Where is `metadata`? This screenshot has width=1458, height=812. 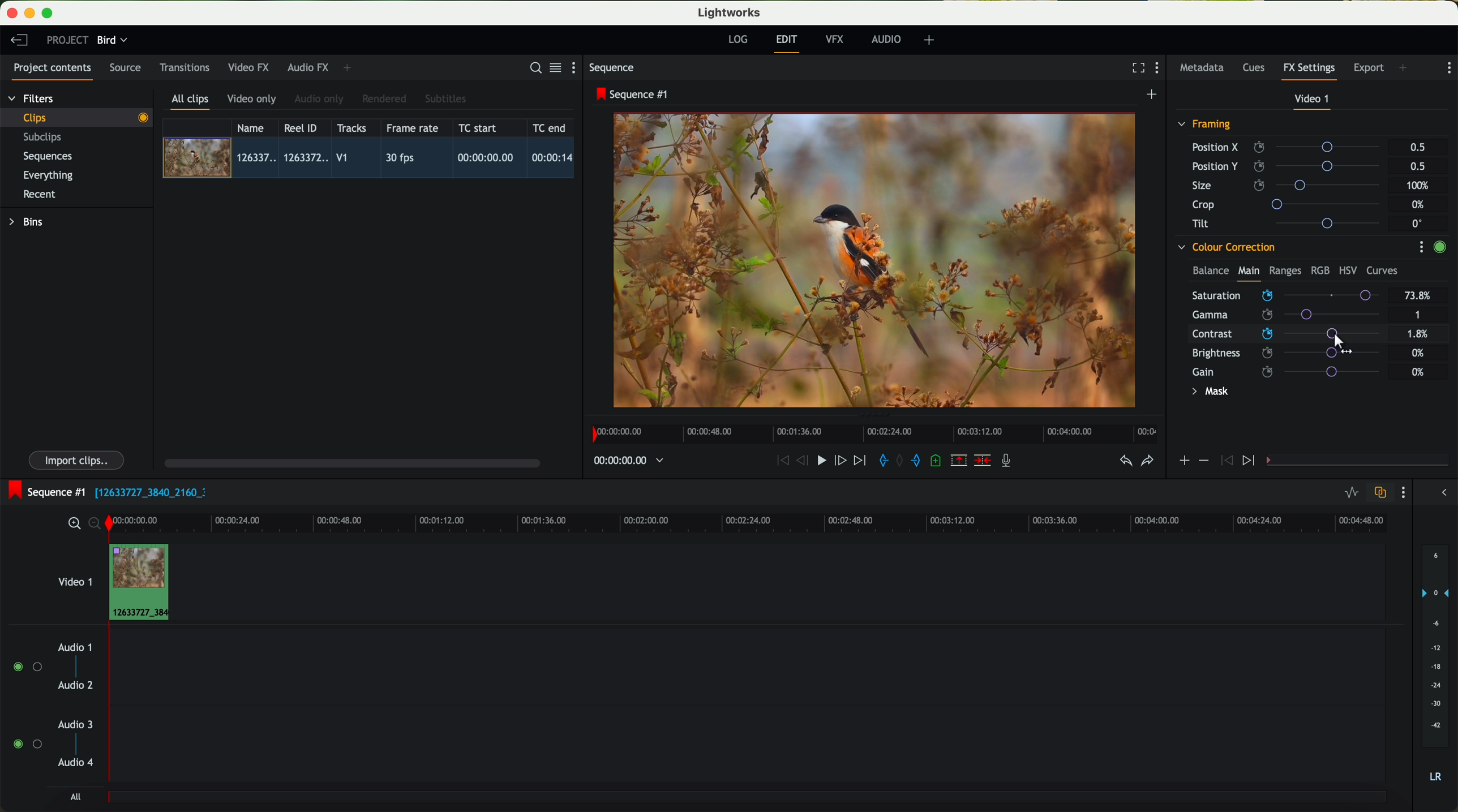 metadata is located at coordinates (1204, 68).